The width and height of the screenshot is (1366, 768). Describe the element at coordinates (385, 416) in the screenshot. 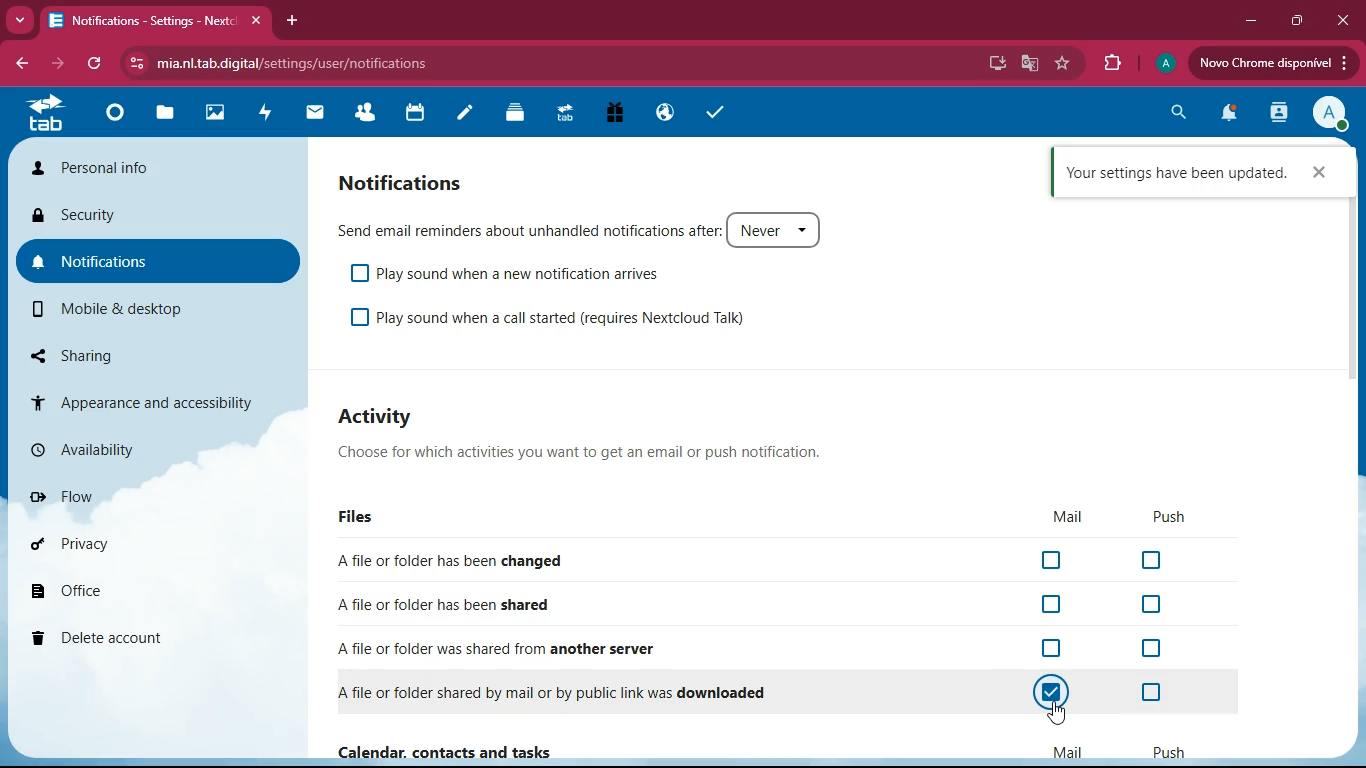

I see `activity` at that location.